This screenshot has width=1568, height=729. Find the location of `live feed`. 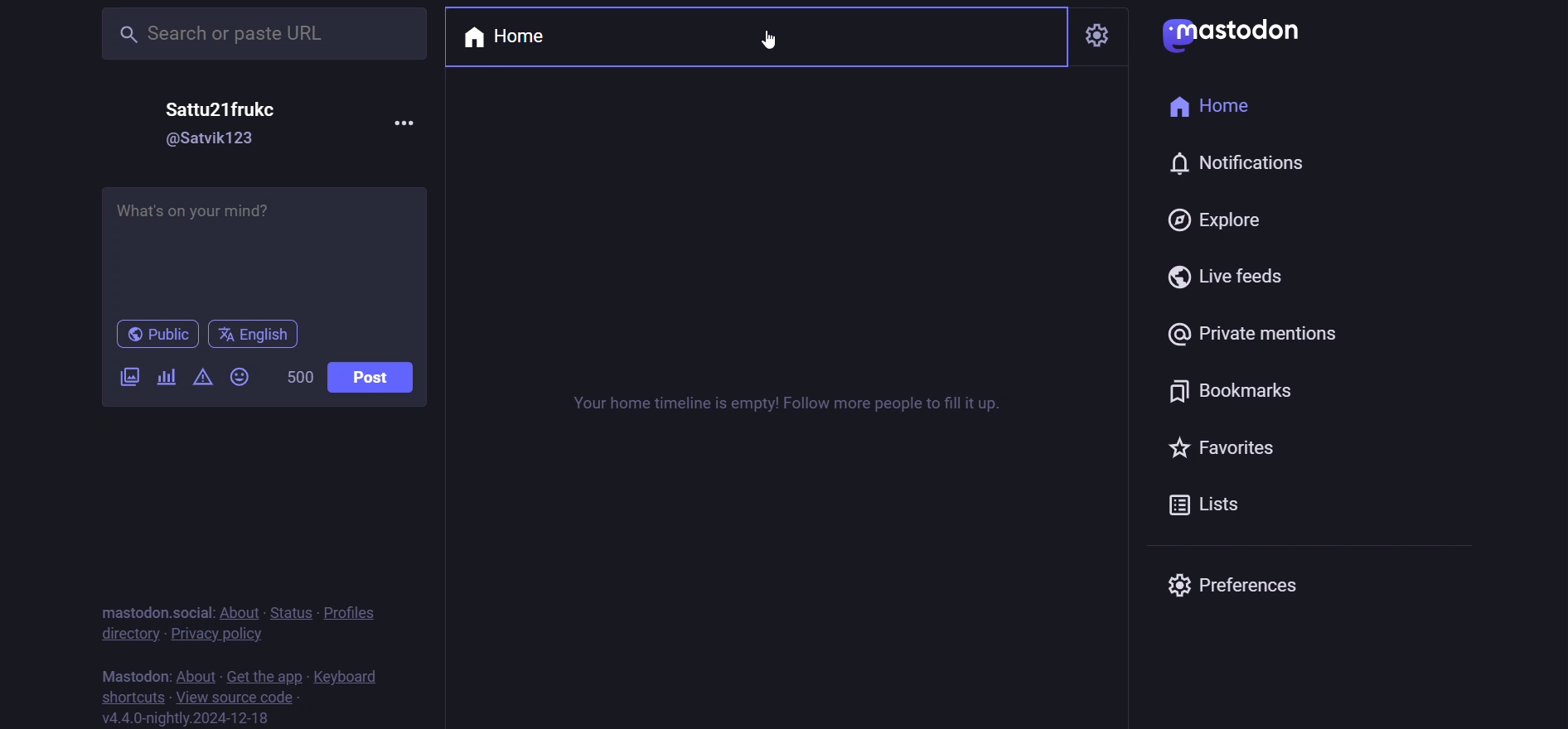

live feed is located at coordinates (1227, 277).